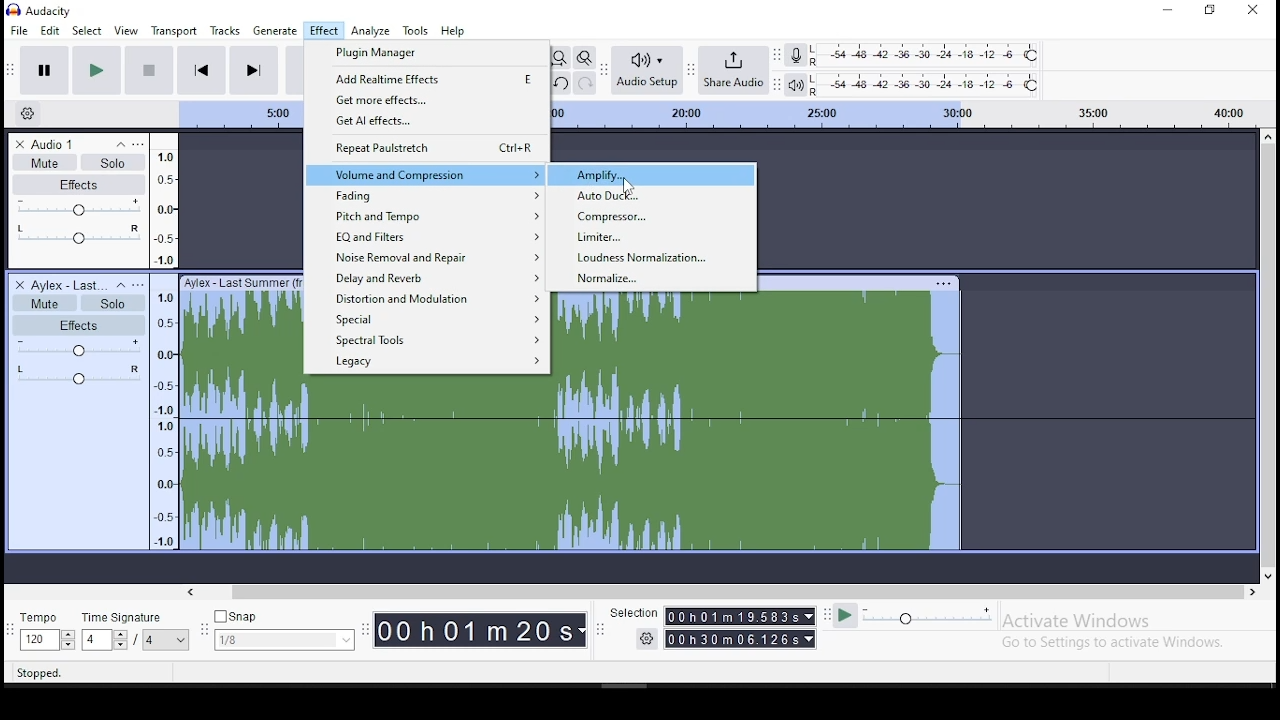 The height and width of the screenshot is (720, 1280). I want to click on skip to start, so click(202, 69).